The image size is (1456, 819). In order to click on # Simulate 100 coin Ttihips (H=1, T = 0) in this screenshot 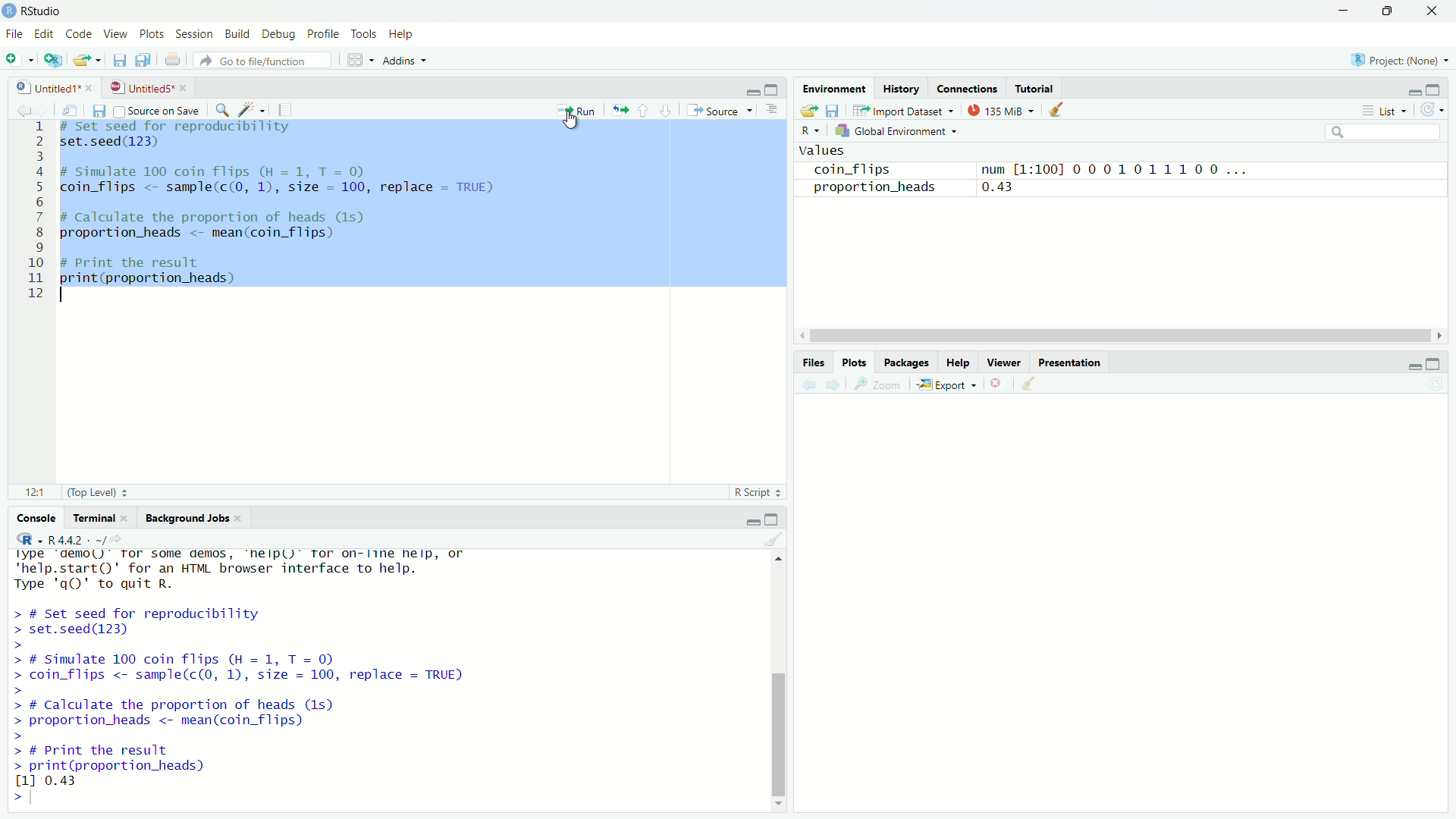, I will do `click(235, 170)`.